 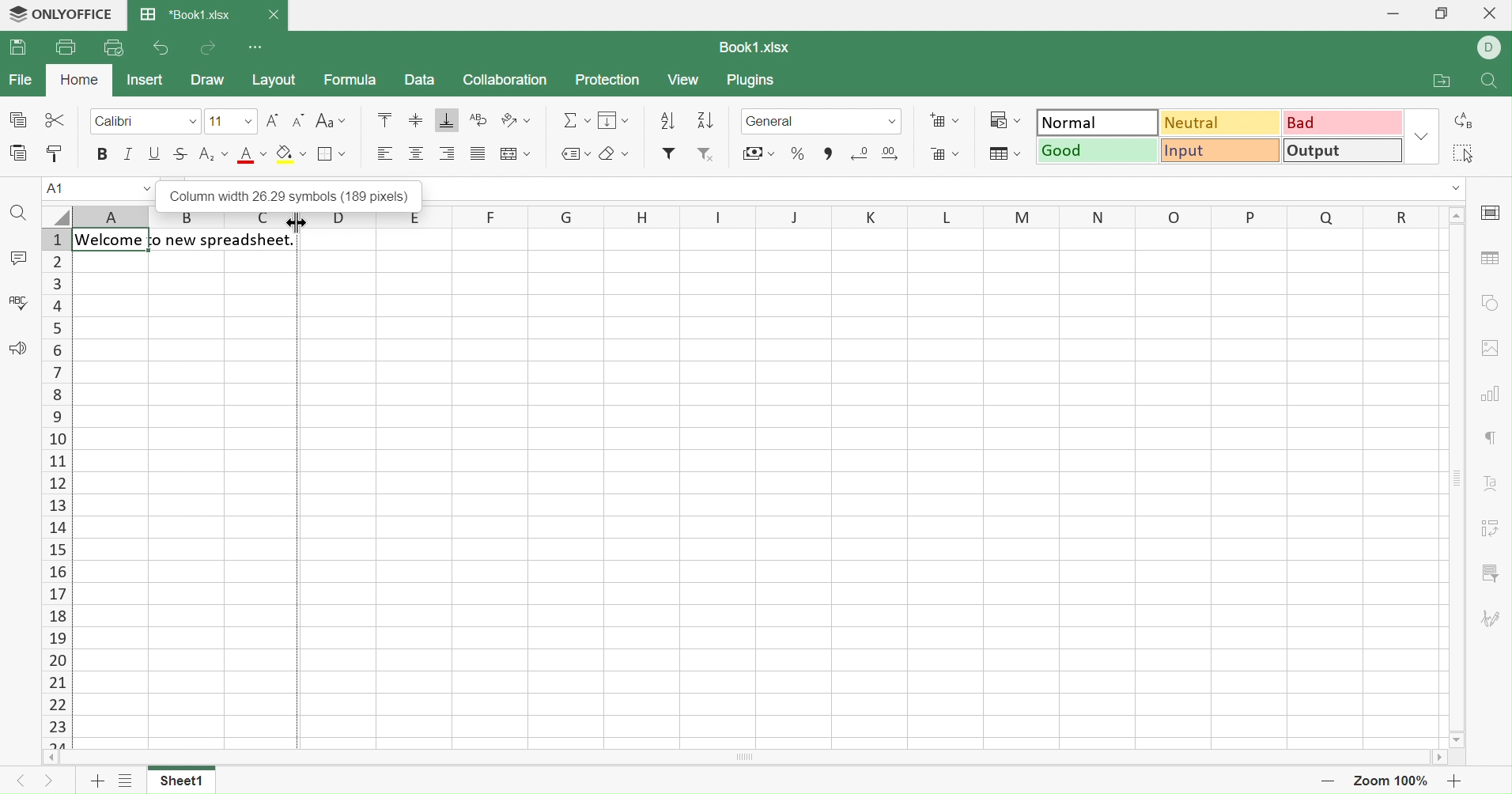 What do you see at coordinates (609, 80) in the screenshot?
I see `Protection` at bounding box center [609, 80].